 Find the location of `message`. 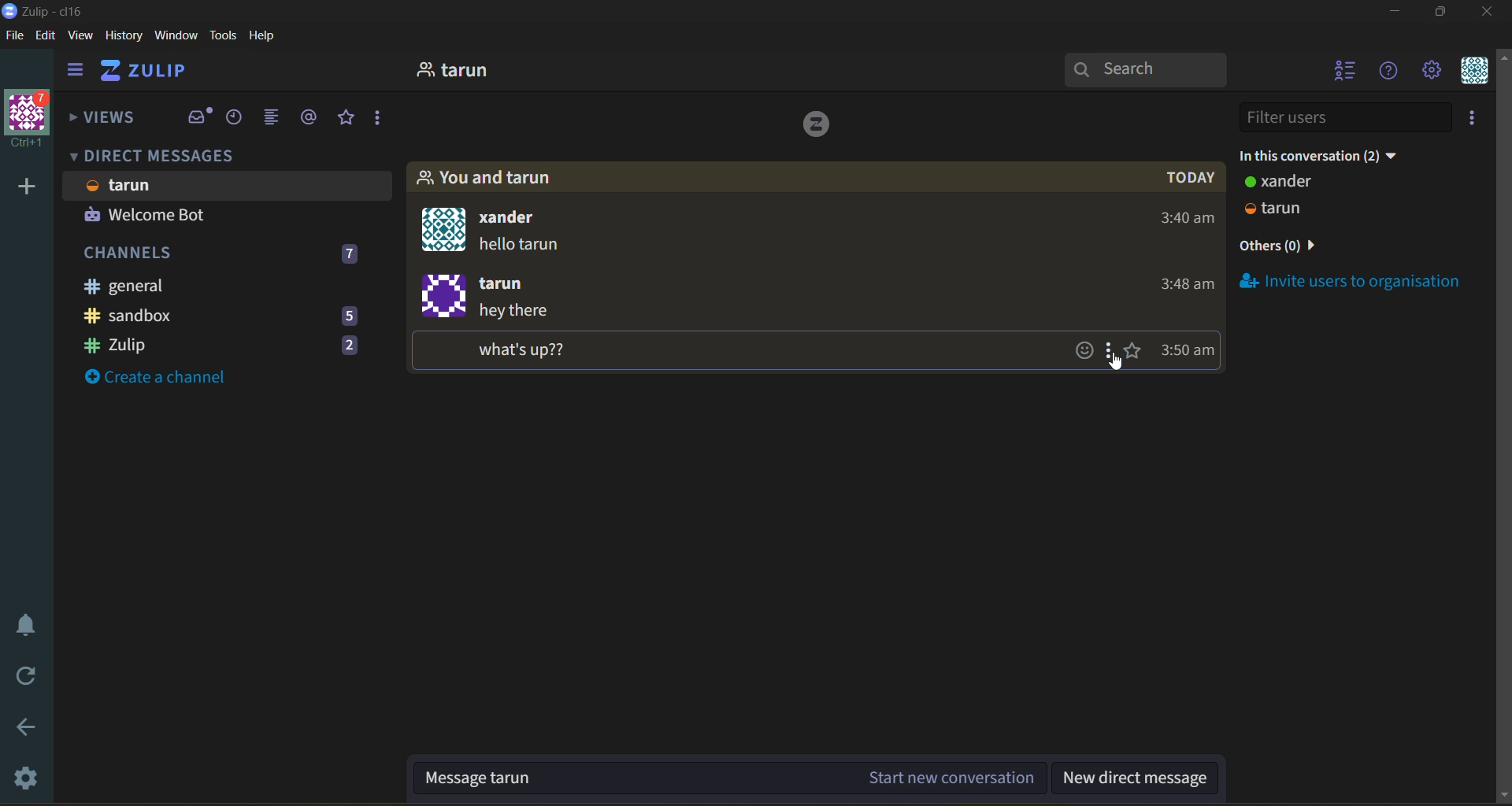

message is located at coordinates (537, 331).